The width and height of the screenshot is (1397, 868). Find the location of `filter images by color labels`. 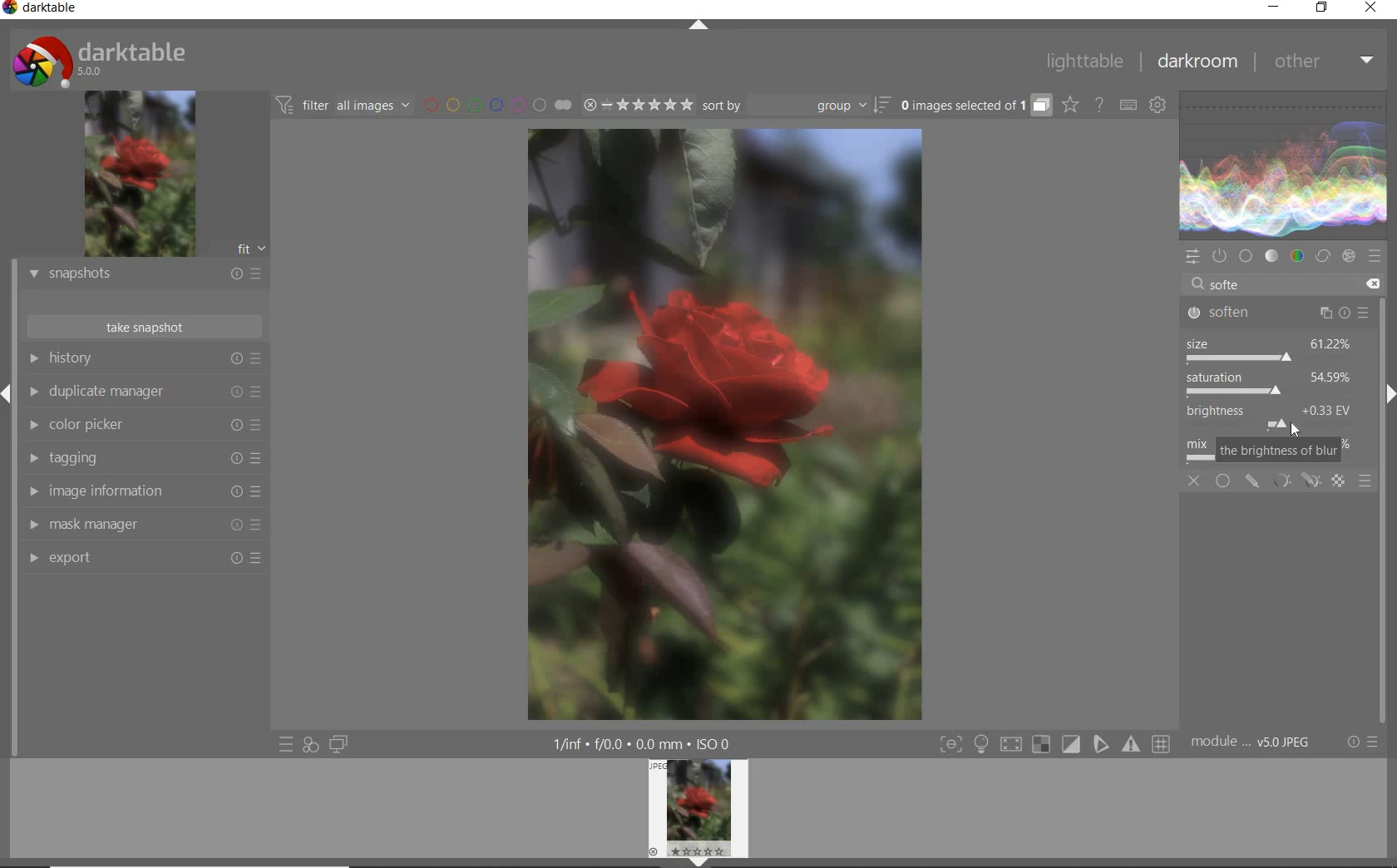

filter images by color labels is located at coordinates (496, 106).